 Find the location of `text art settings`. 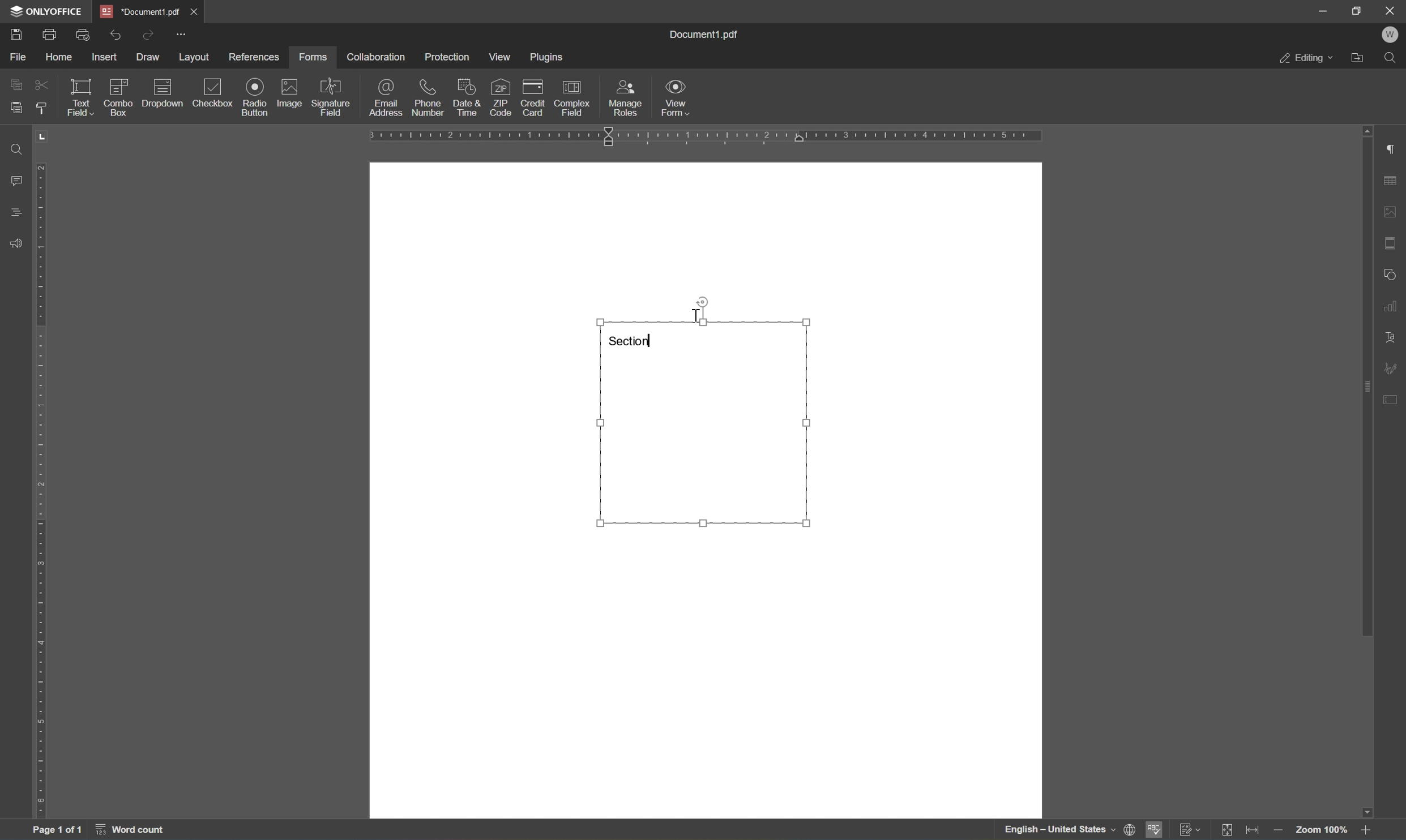

text art settings is located at coordinates (1392, 338).